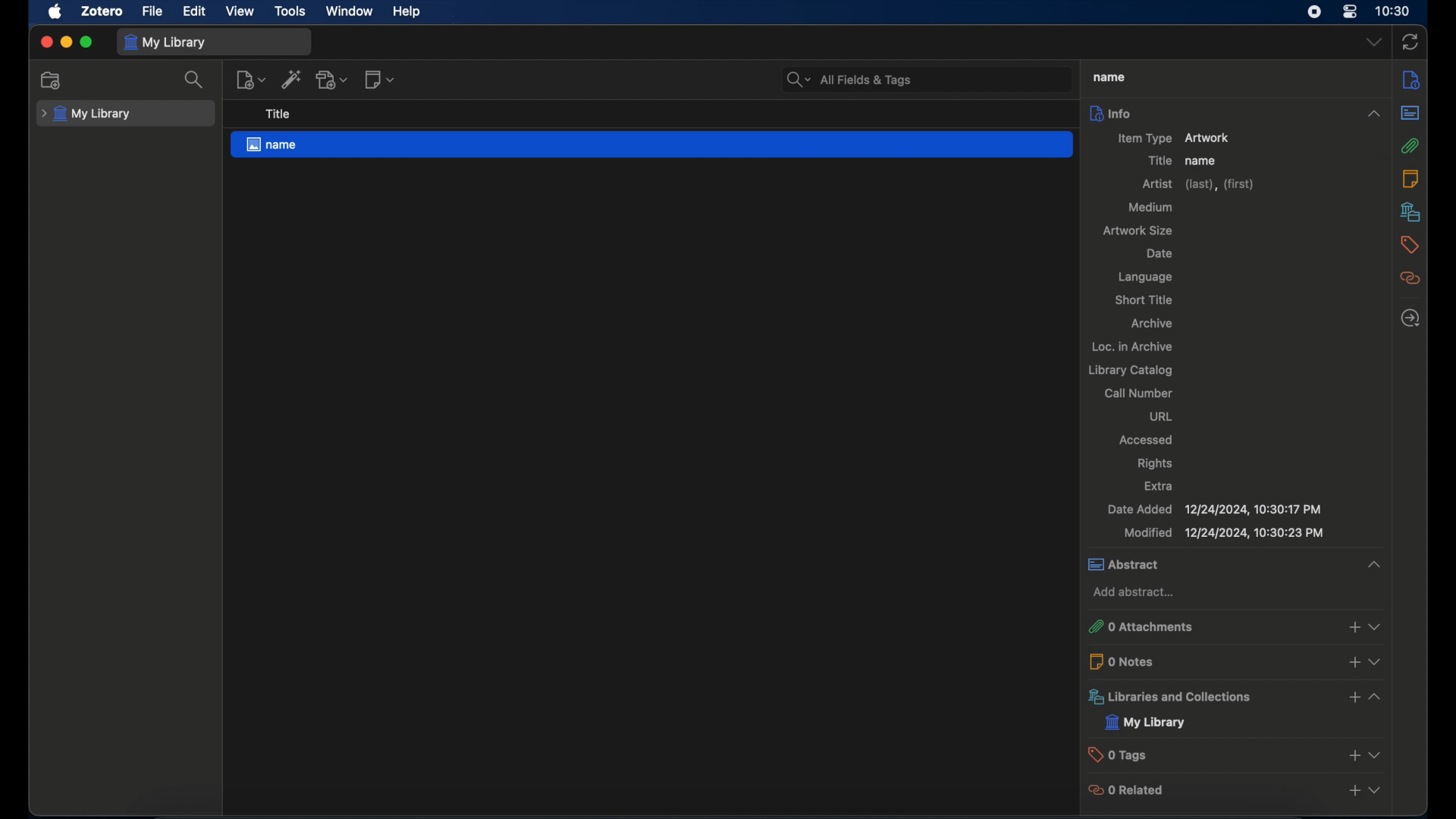  I want to click on 0 attachments, so click(1152, 626).